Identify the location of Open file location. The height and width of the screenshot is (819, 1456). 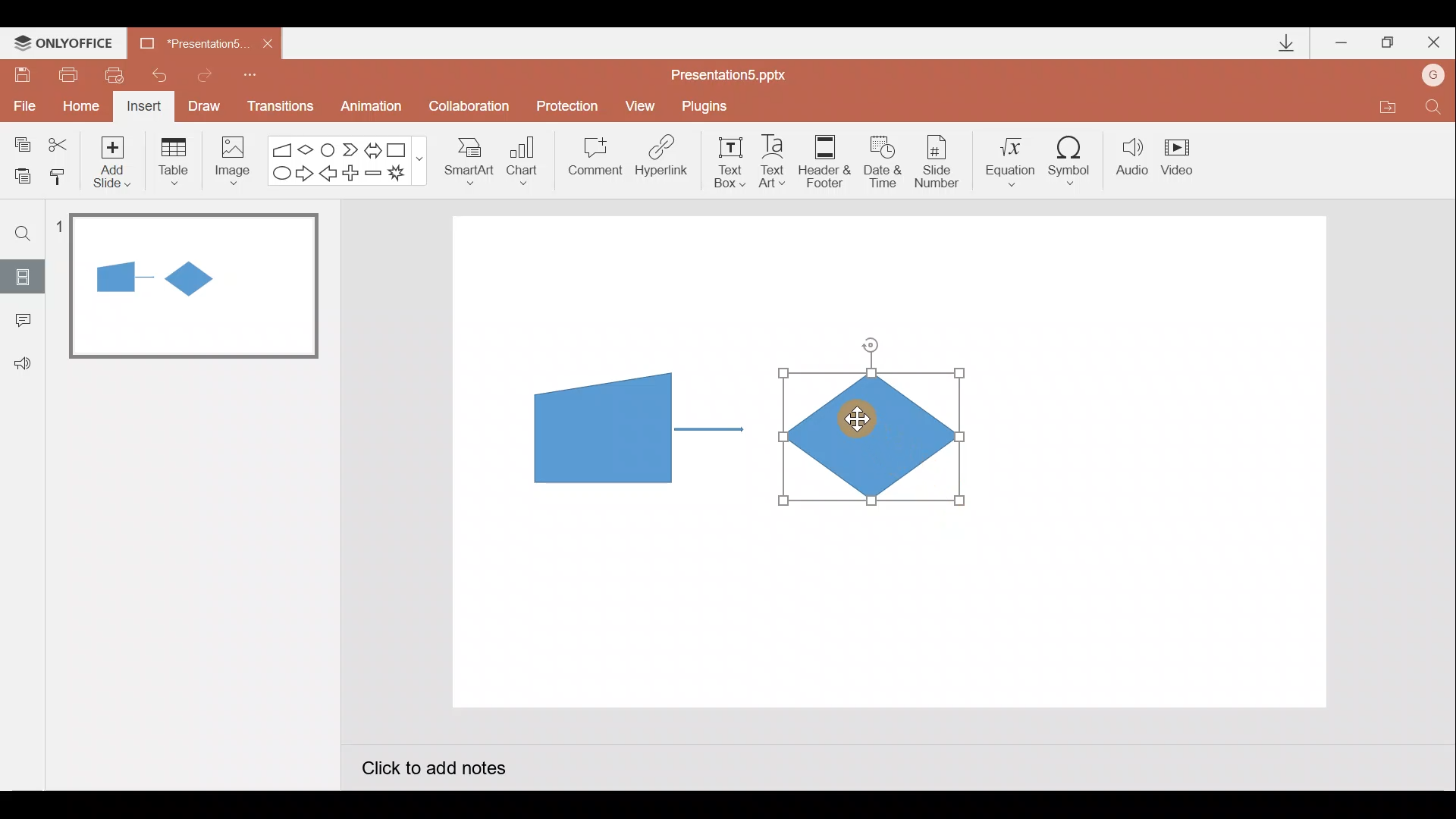
(1387, 109).